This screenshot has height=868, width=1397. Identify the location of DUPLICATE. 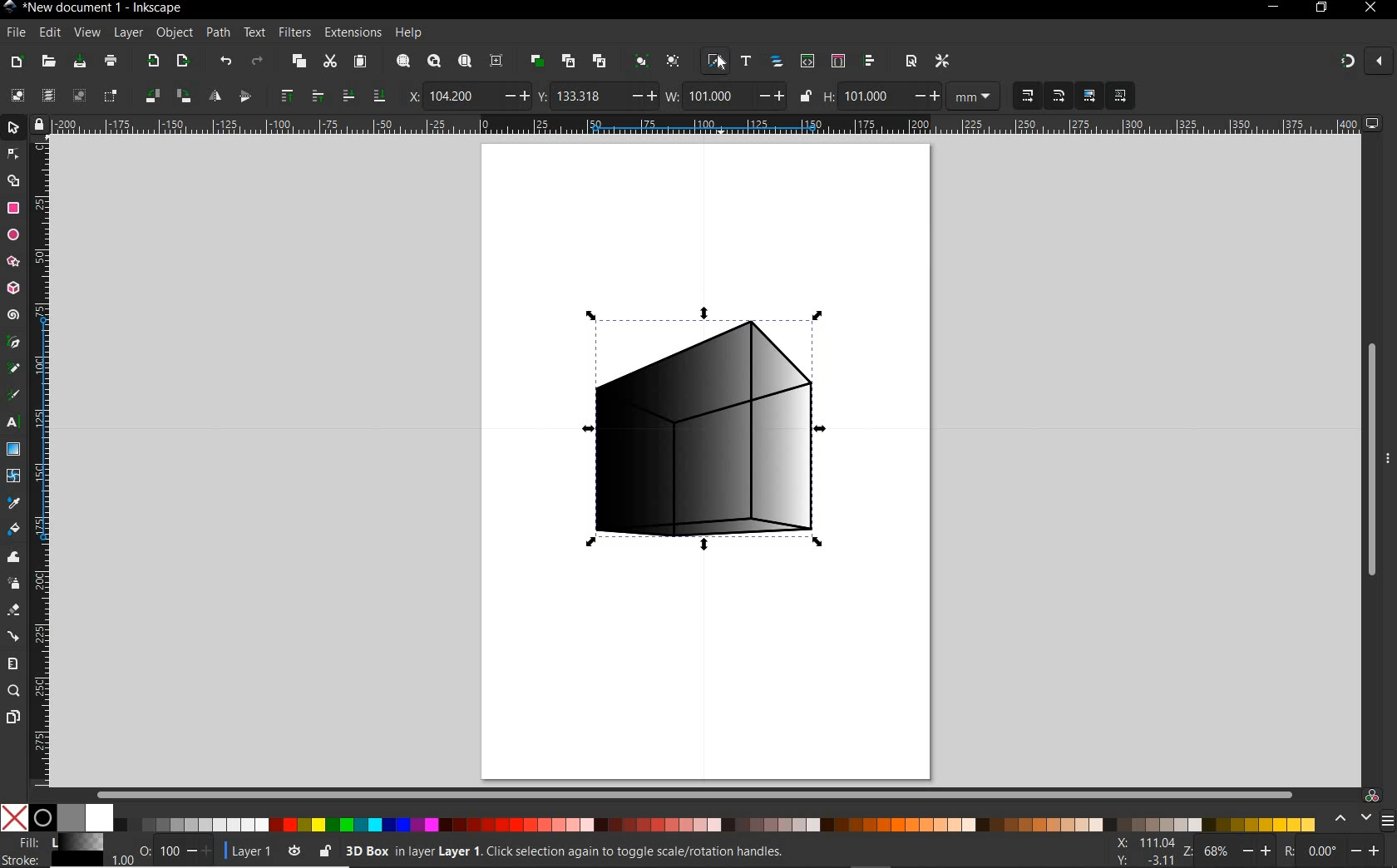
(537, 62).